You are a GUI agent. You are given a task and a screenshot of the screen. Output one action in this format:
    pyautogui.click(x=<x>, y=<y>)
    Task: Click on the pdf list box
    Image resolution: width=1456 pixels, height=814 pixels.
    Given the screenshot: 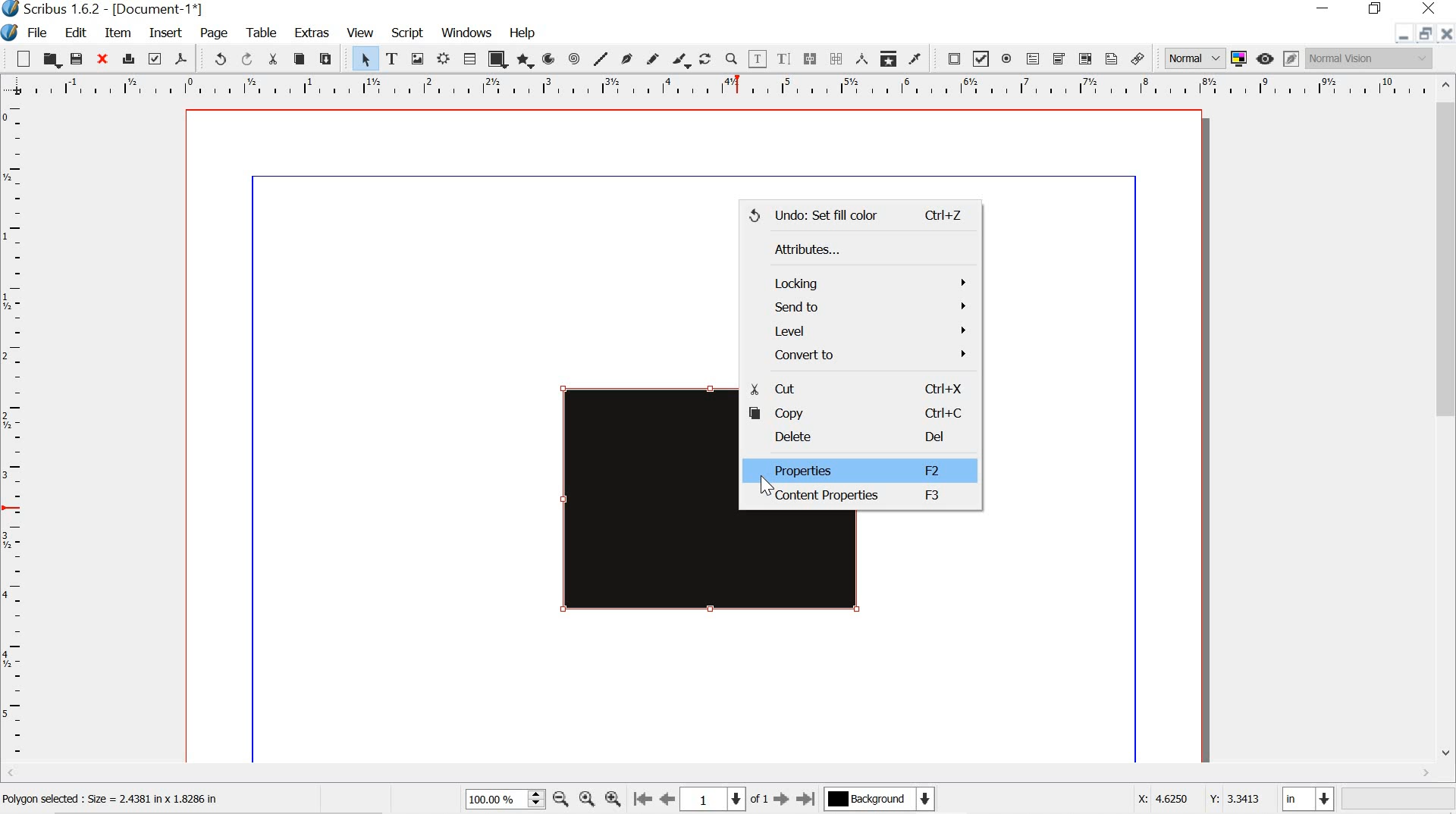 What is the action you would take?
    pyautogui.click(x=1084, y=58)
    